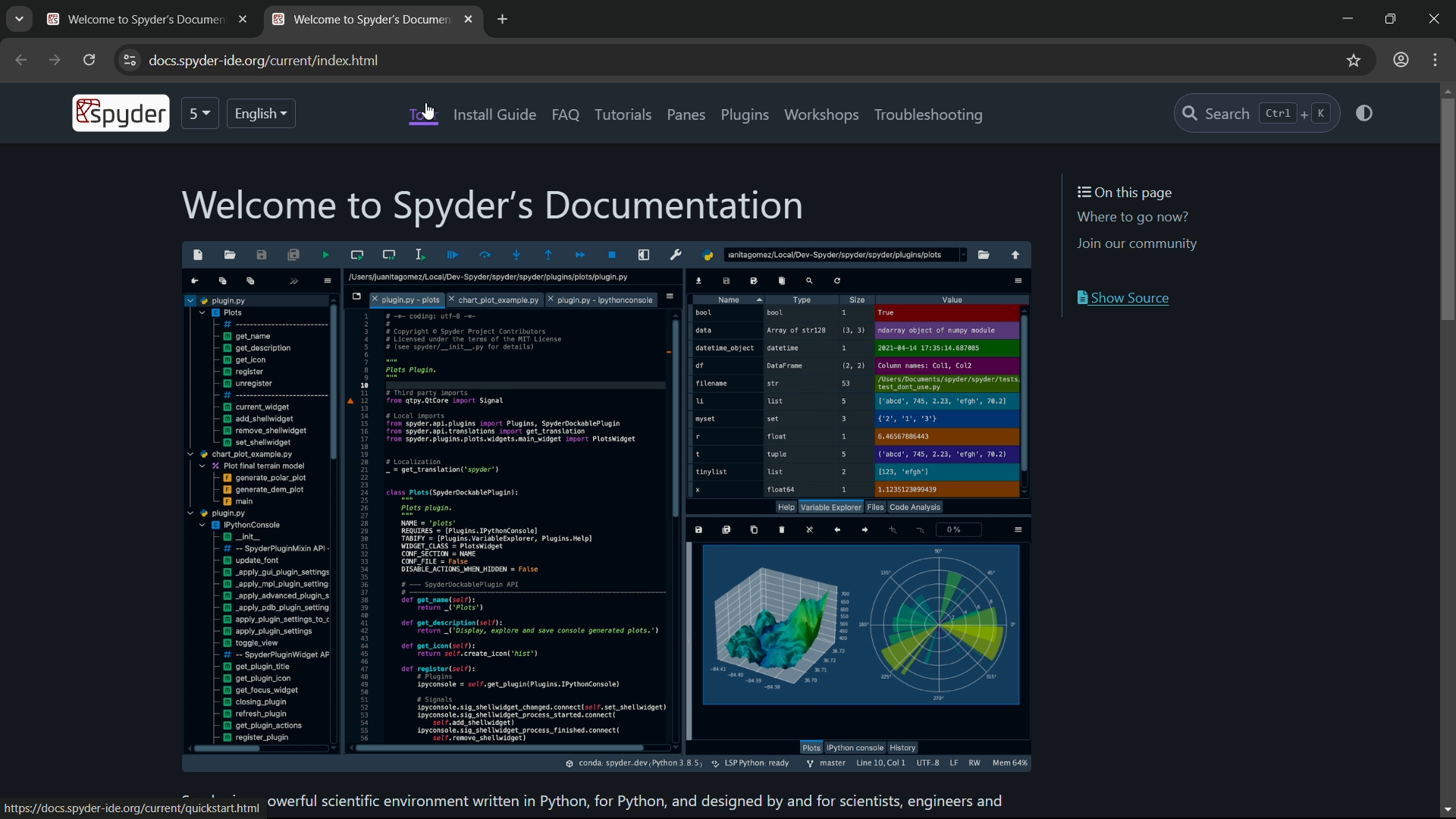 The height and width of the screenshot is (819, 1456). I want to click on minimize, so click(1348, 17).